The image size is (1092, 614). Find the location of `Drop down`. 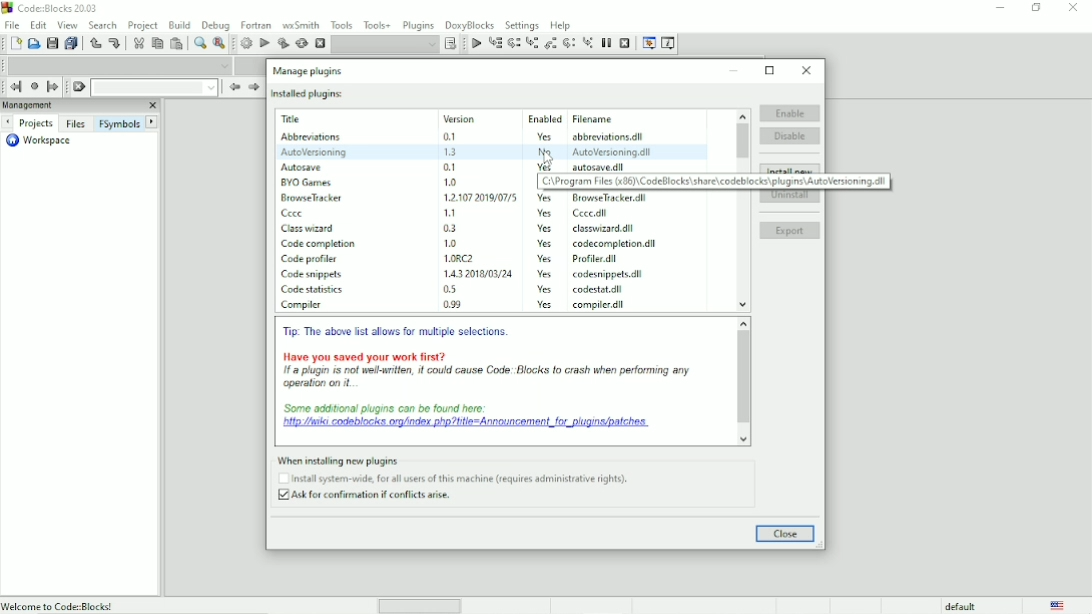

Drop down is located at coordinates (385, 45).